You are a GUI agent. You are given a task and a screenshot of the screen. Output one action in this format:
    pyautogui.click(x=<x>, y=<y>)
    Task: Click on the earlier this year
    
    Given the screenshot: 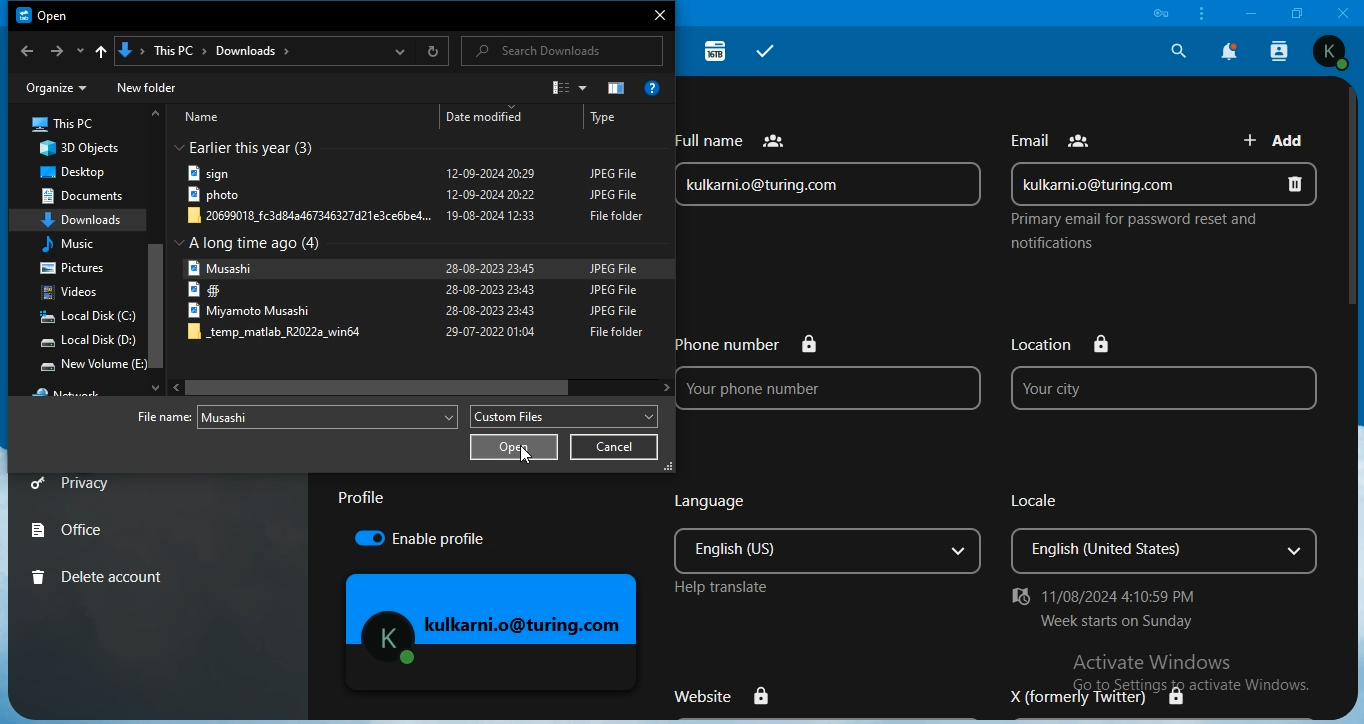 What is the action you would take?
    pyautogui.click(x=259, y=149)
    